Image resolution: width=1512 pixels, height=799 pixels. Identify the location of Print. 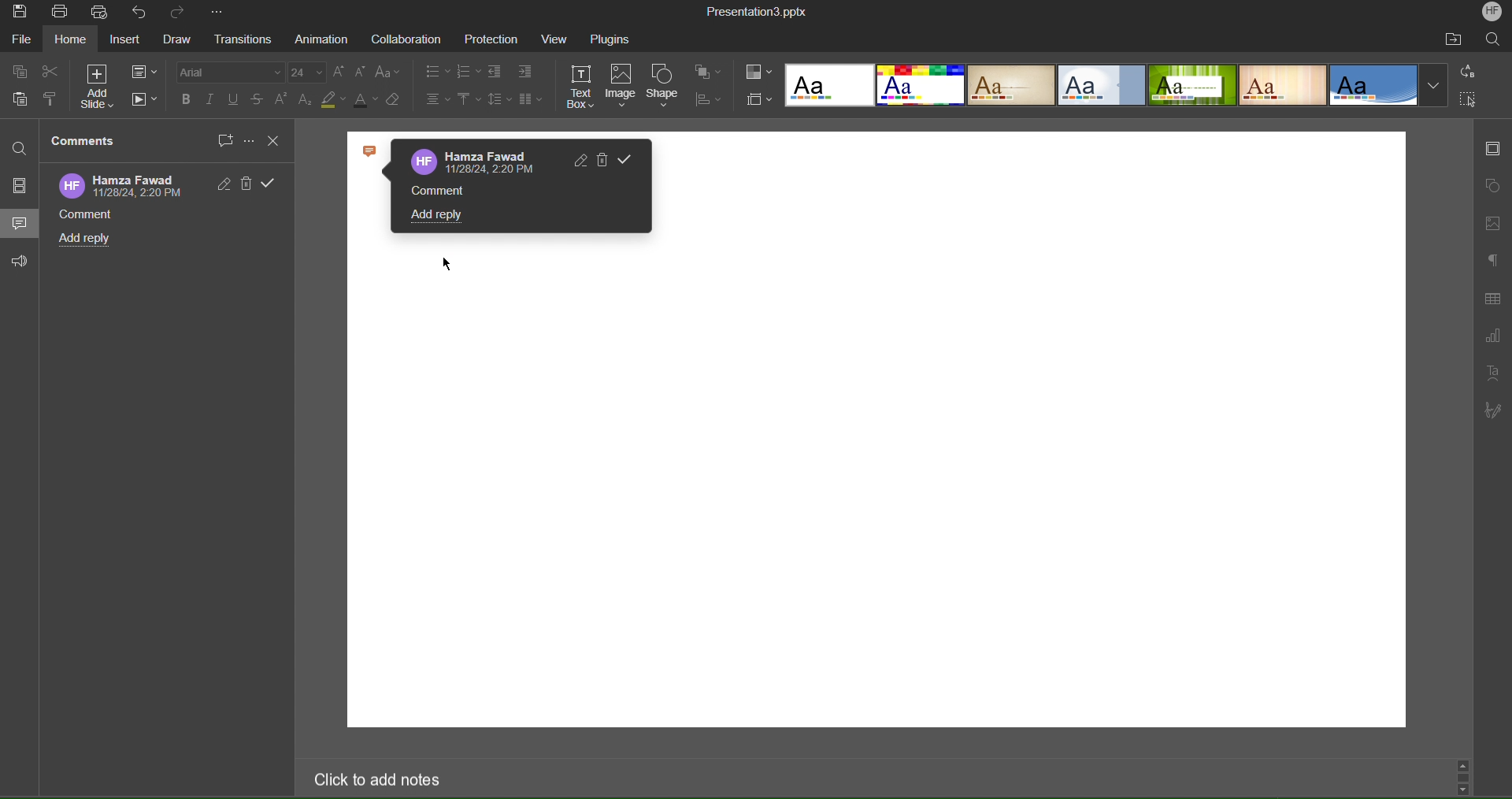
(62, 11).